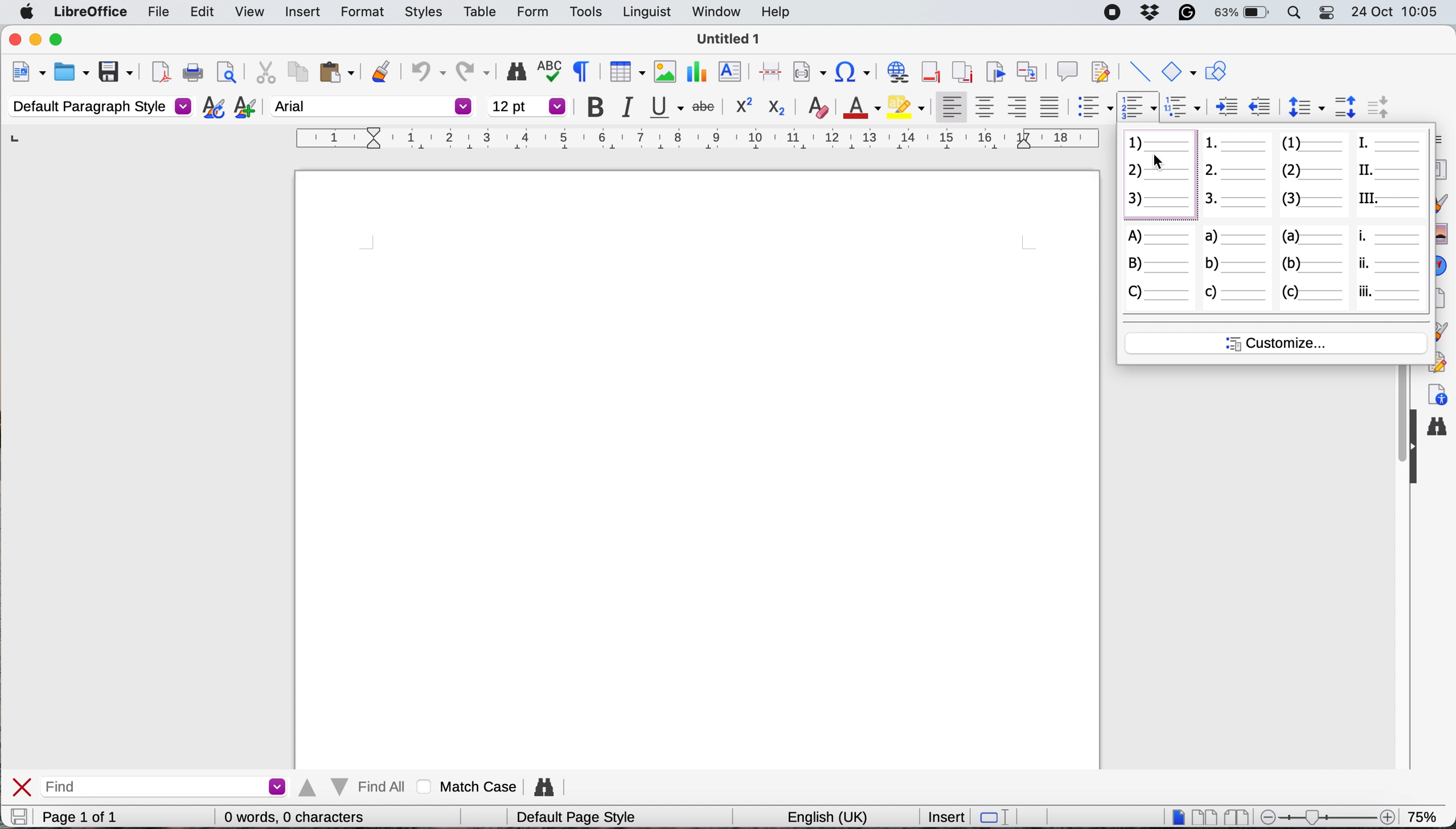 The image size is (1456, 829). Describe the element at coordinates (529, 13) in the screenshot. I see `form` at that location.